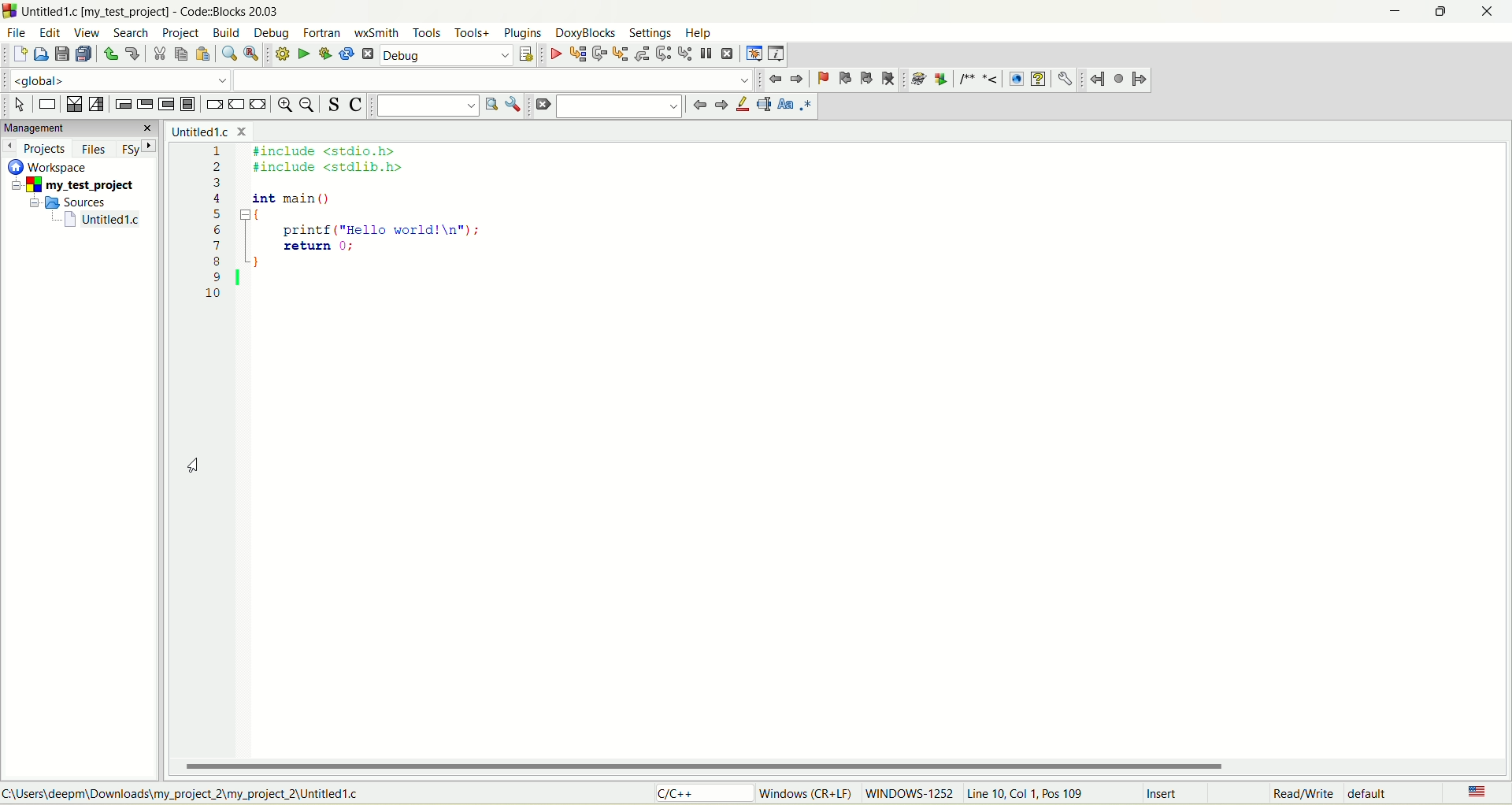  I want to click on return instruction, so click(261, 104).